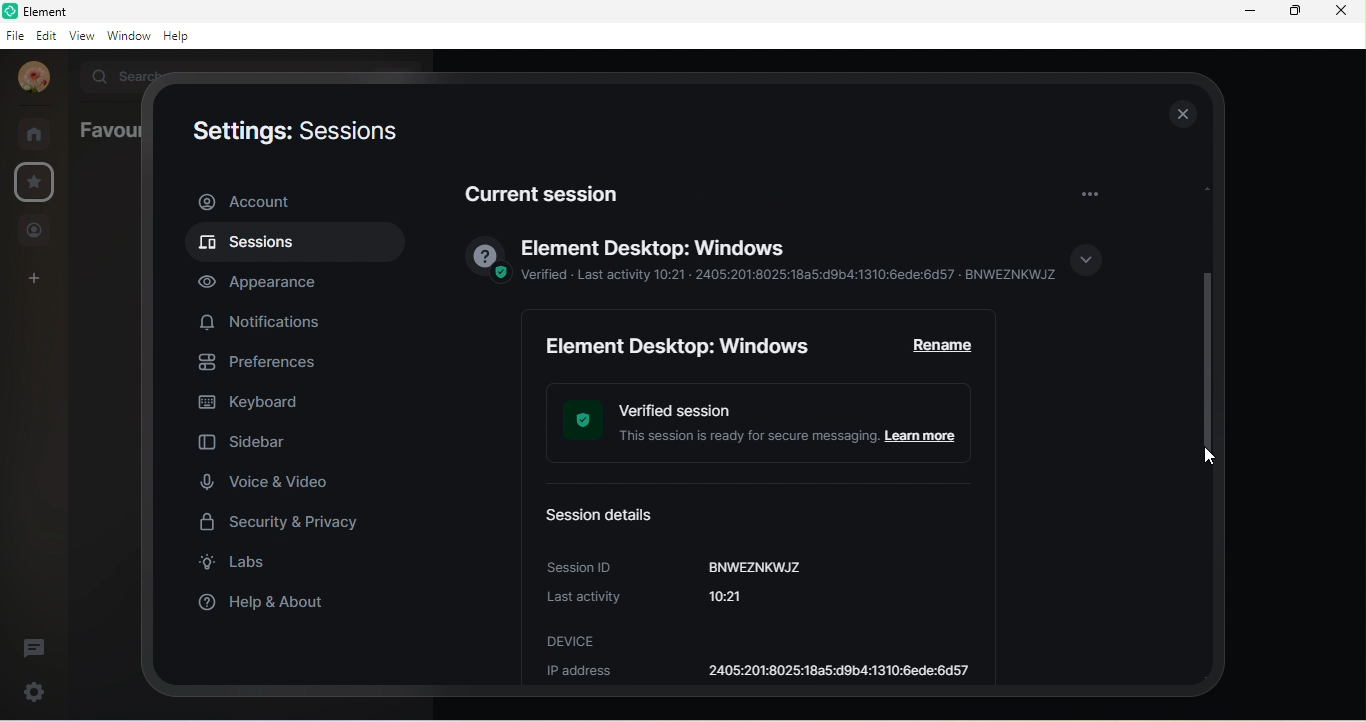 This screenshot has height=722, width=1366. What do you see at coordinates (290, 525) in the screenshot?
I see `security and privacy` at bounding box center [290, 525].